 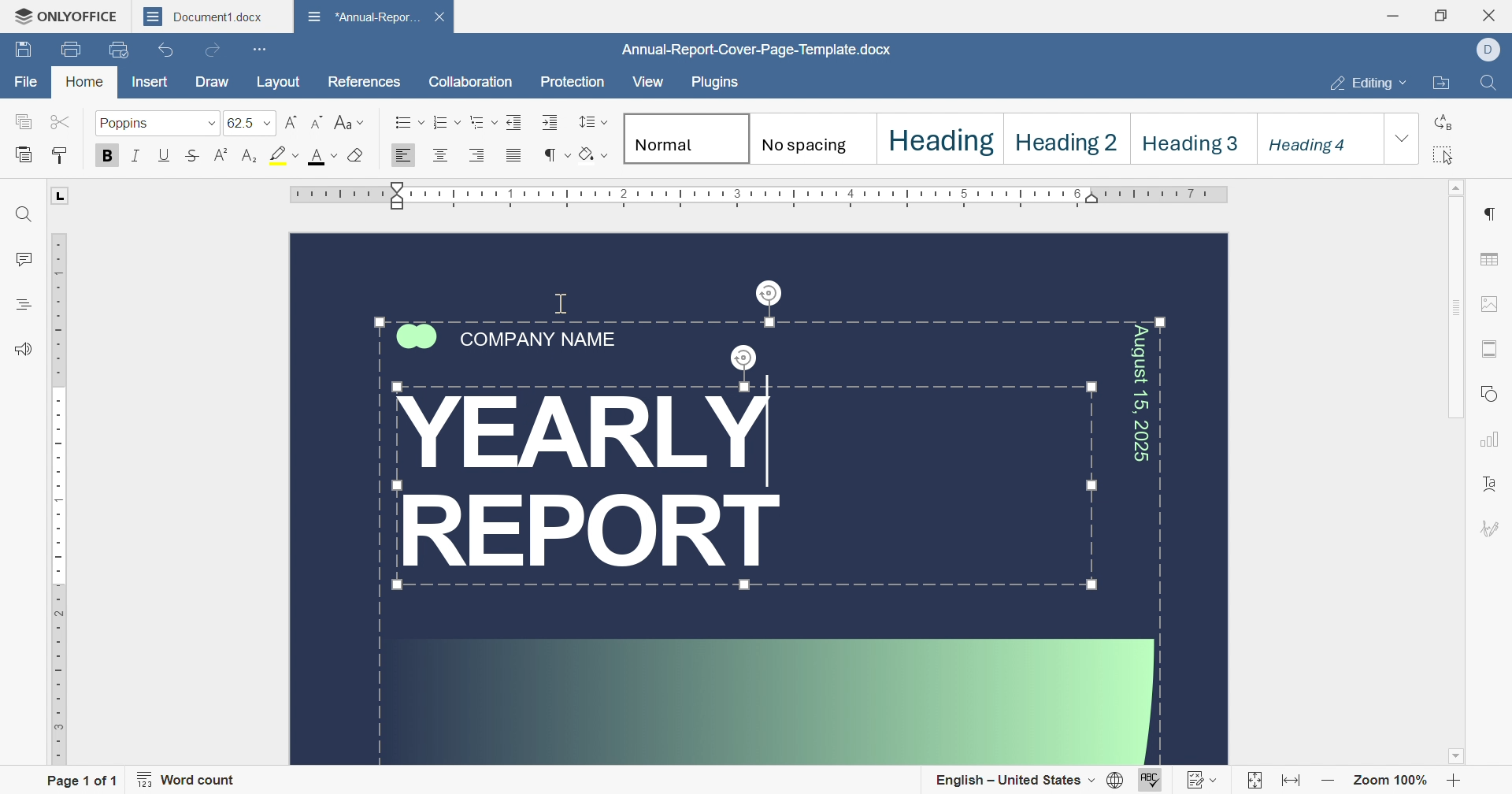 I want to click on comments, so click(x=23, y=257).